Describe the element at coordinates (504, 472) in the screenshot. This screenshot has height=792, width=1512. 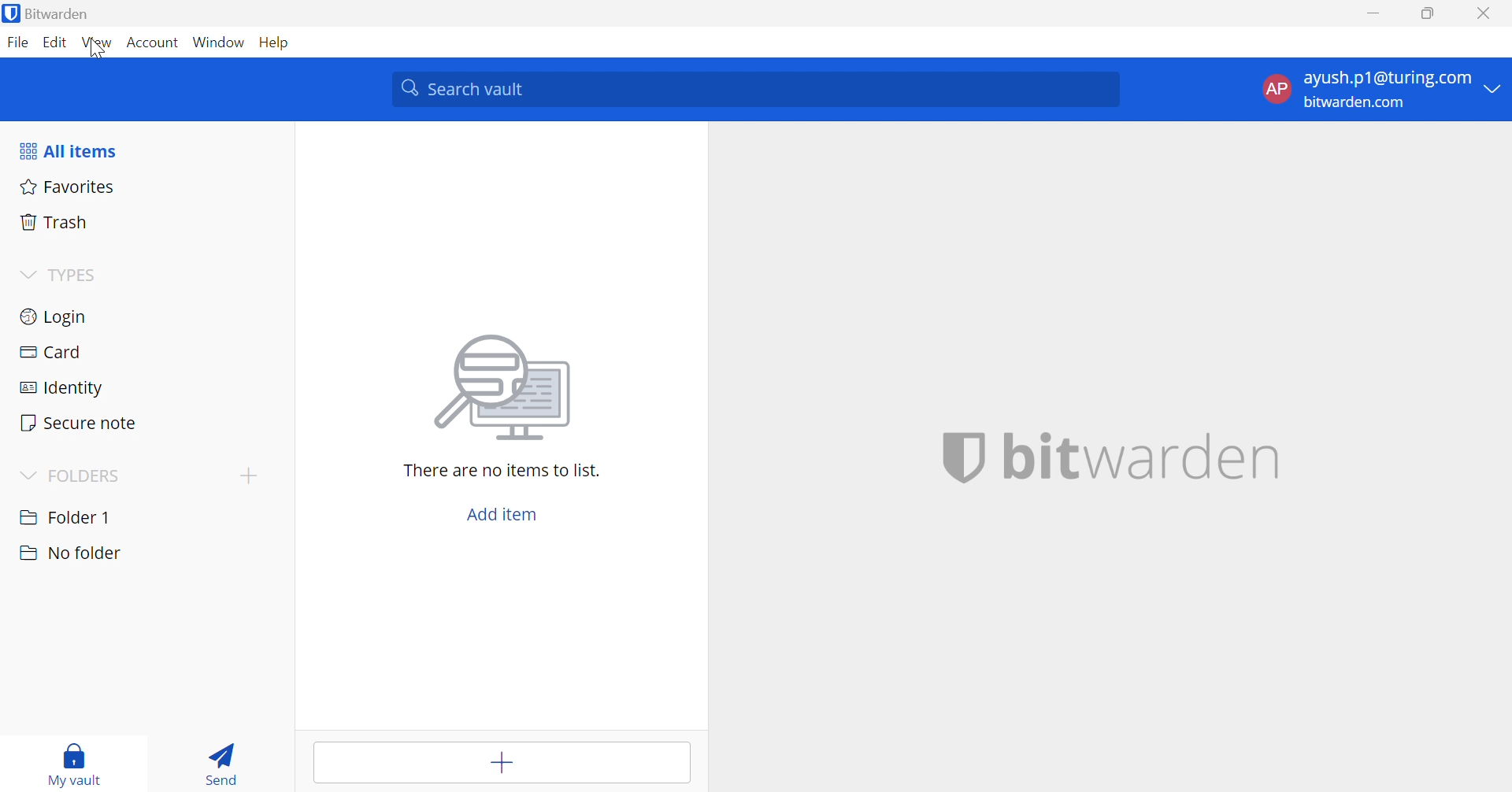
I see `There are no items to list.` at that location.